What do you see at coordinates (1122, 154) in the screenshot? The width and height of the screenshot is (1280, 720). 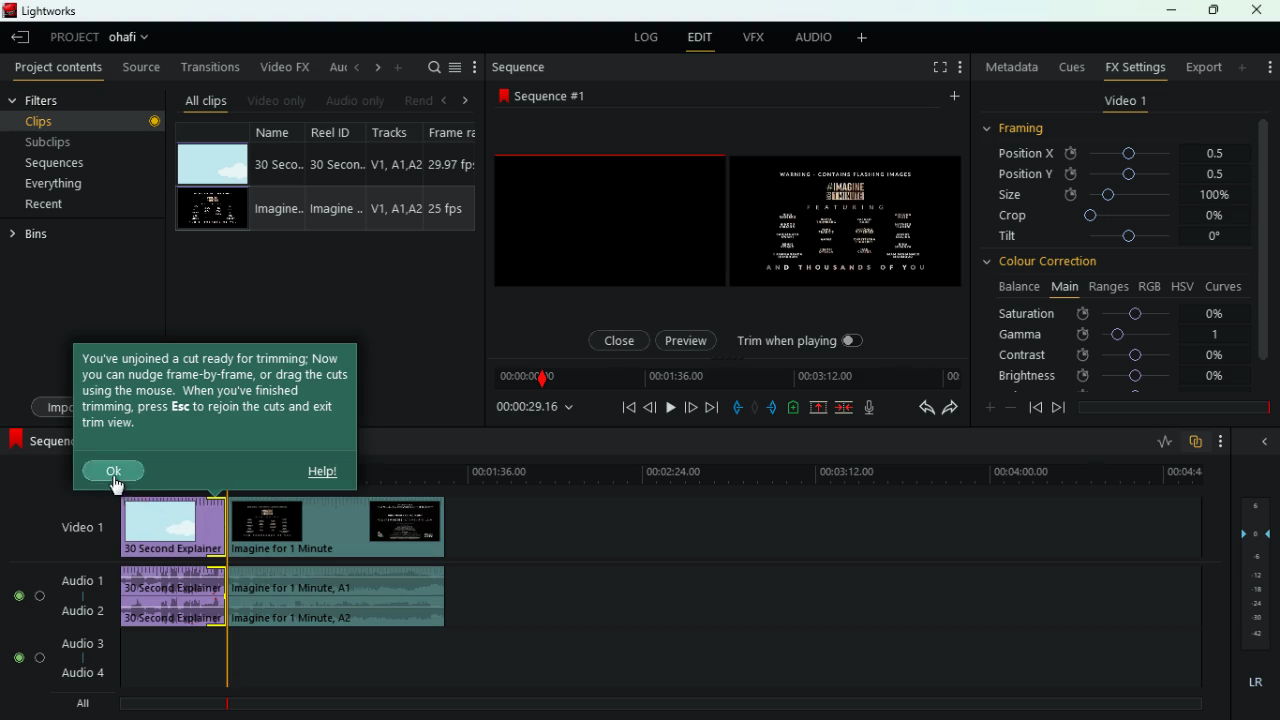 I see `position x` at bounding box center [1122, 154].